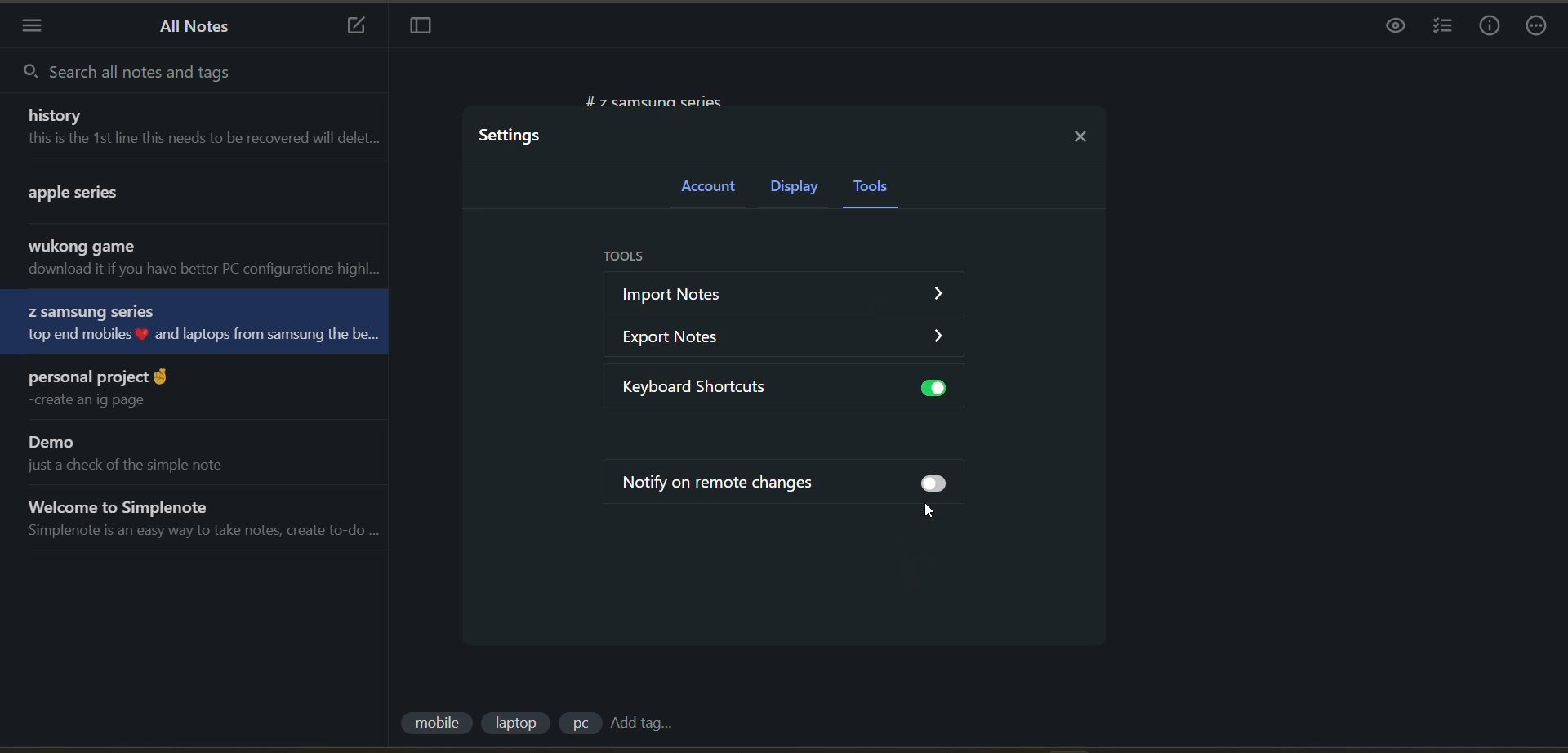  What do you see at coordinates (513, 136) in the screenshot?
I see `settings` at bounding box center [513, 136].